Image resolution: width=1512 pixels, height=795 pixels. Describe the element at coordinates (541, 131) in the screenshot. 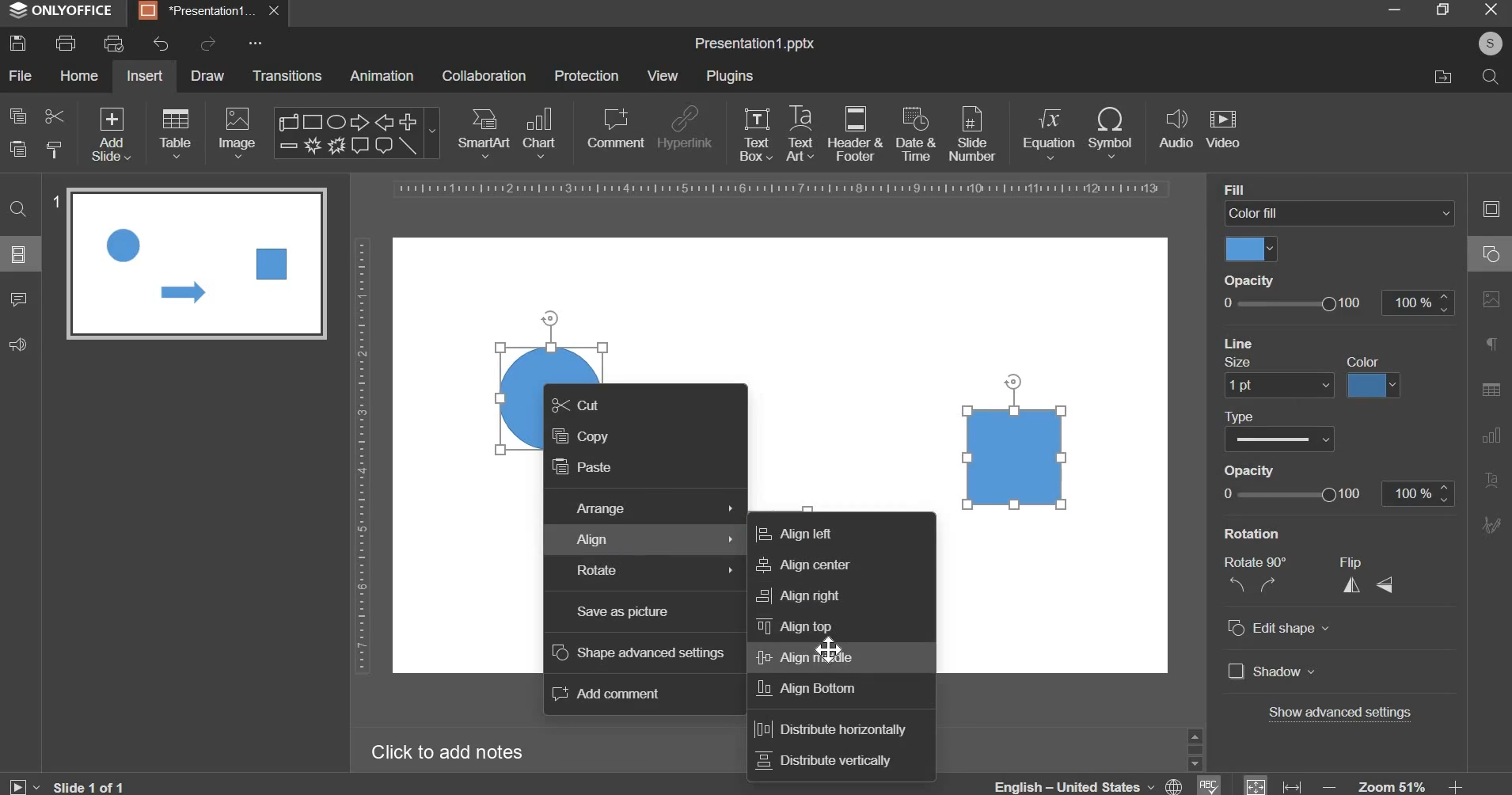

I see `chart` at that location.